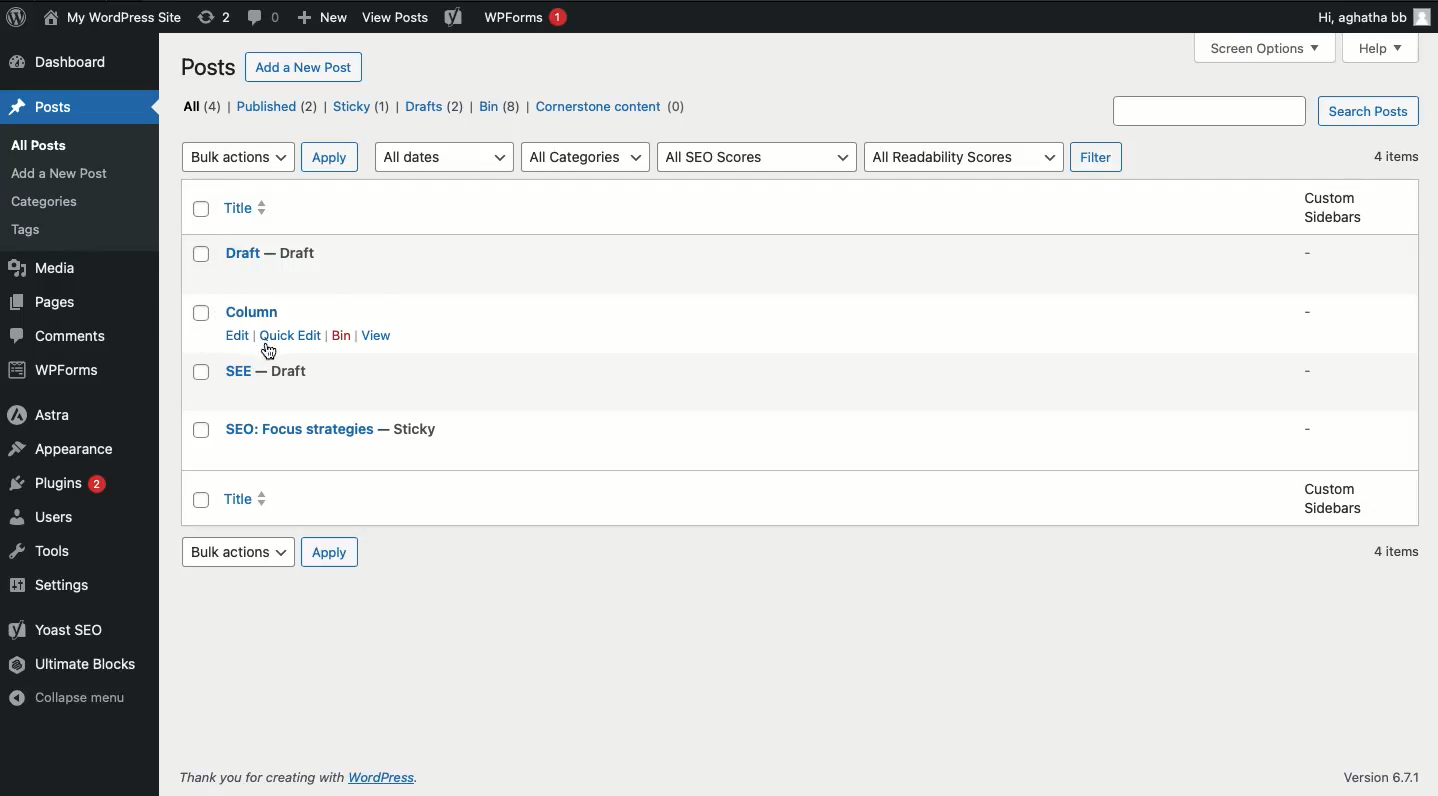 The width and height of the screenshot is (1438, 796). Describe the element at coordinates (1334, 499) in the screenshot. I see `Custom sidebars` at that location.